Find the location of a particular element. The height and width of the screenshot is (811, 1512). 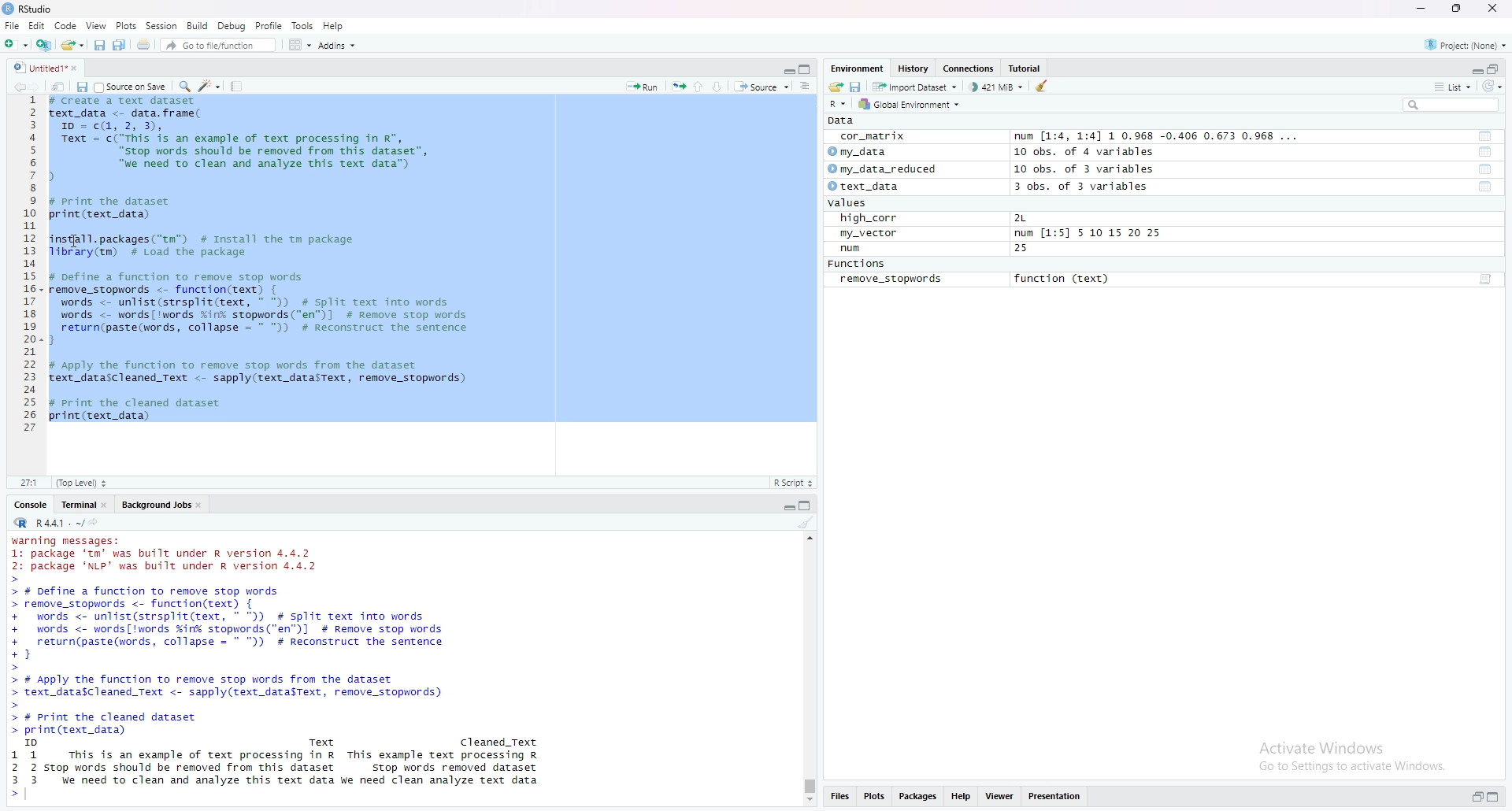

packages is located at coordinates (919, 796).